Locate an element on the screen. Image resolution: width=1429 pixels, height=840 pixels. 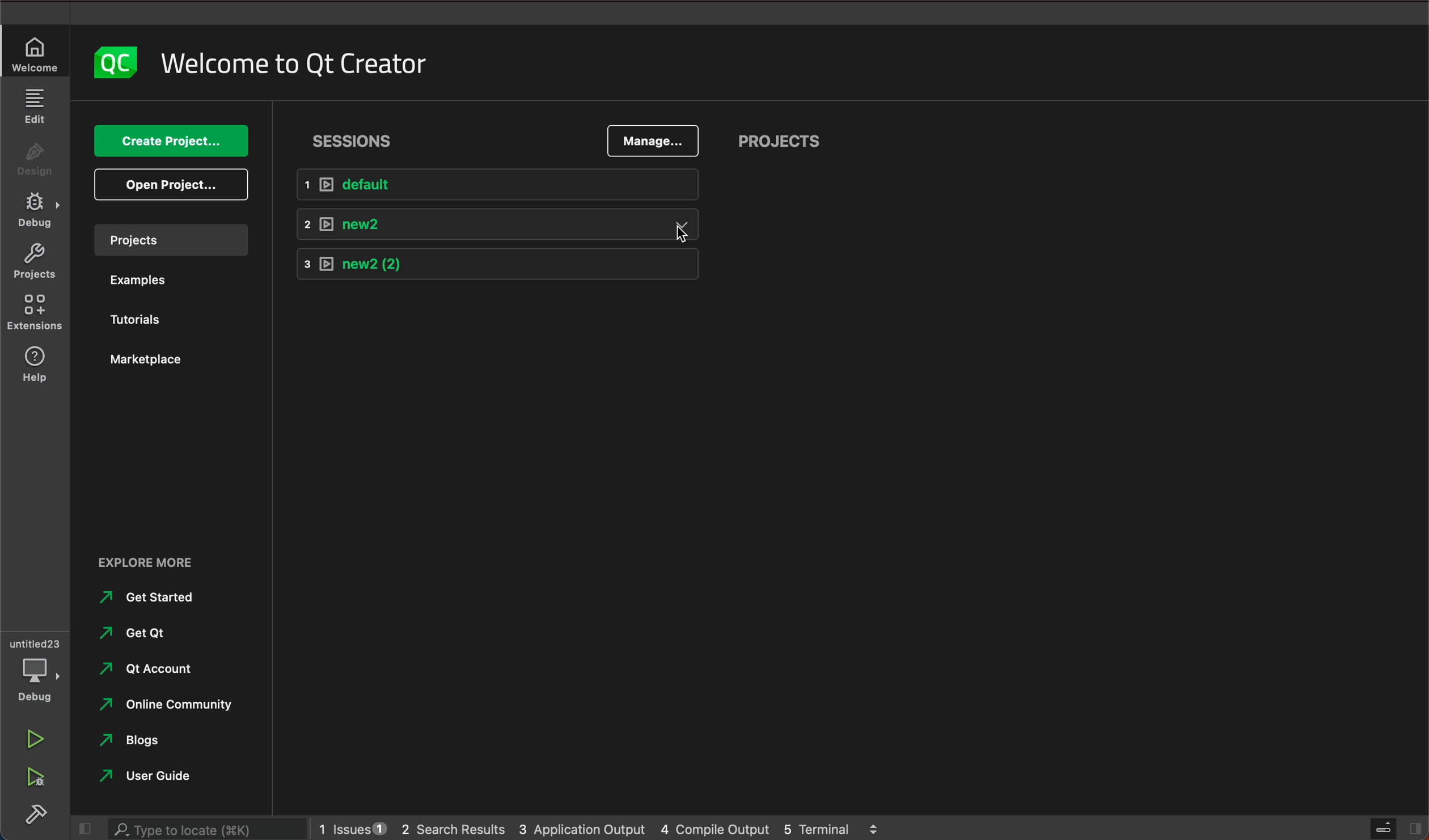
qt account is located at coordinates (146, 671).